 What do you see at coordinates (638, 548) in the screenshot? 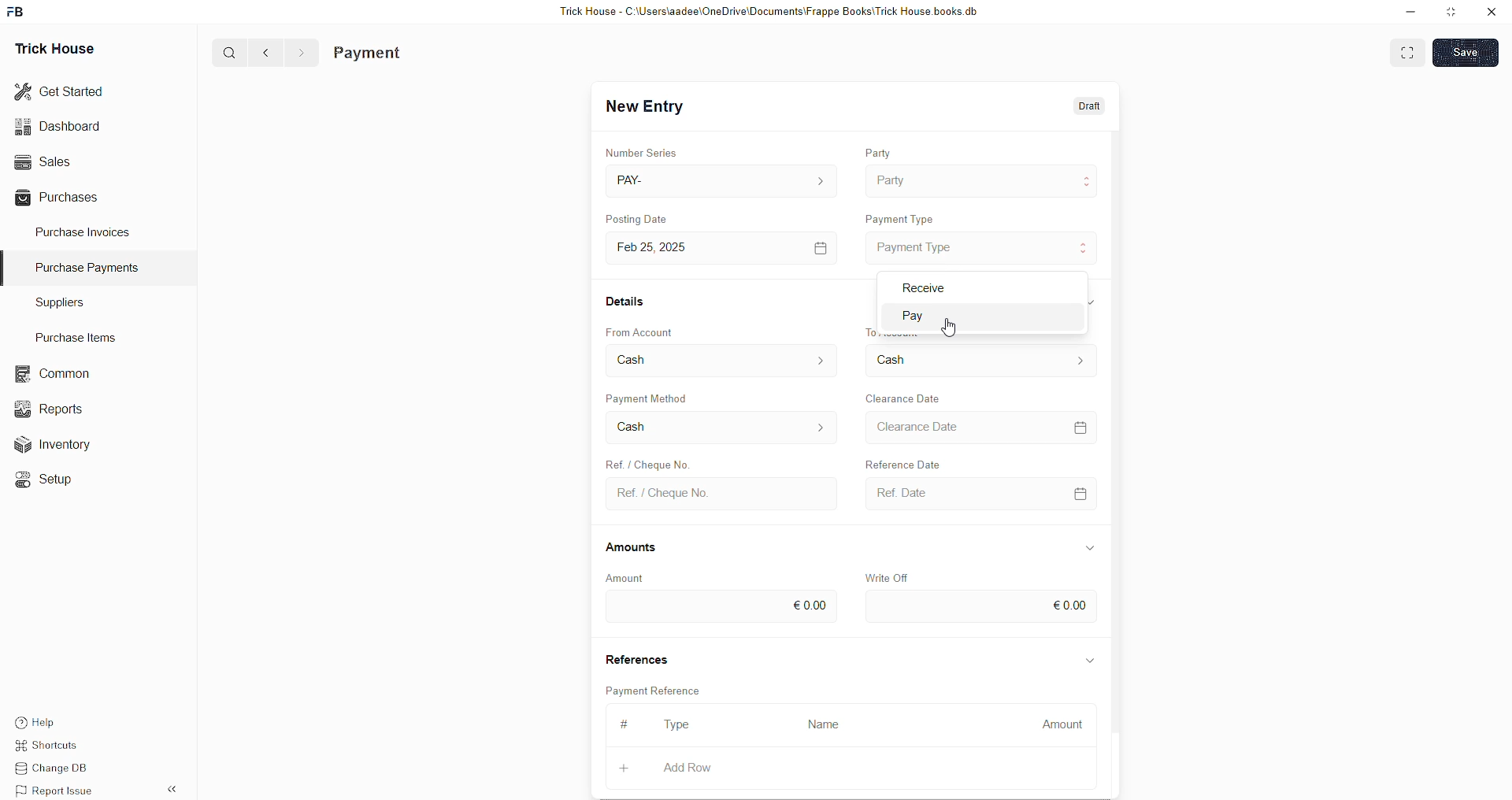
I see `Amounts` at bounding box center [638, 548].